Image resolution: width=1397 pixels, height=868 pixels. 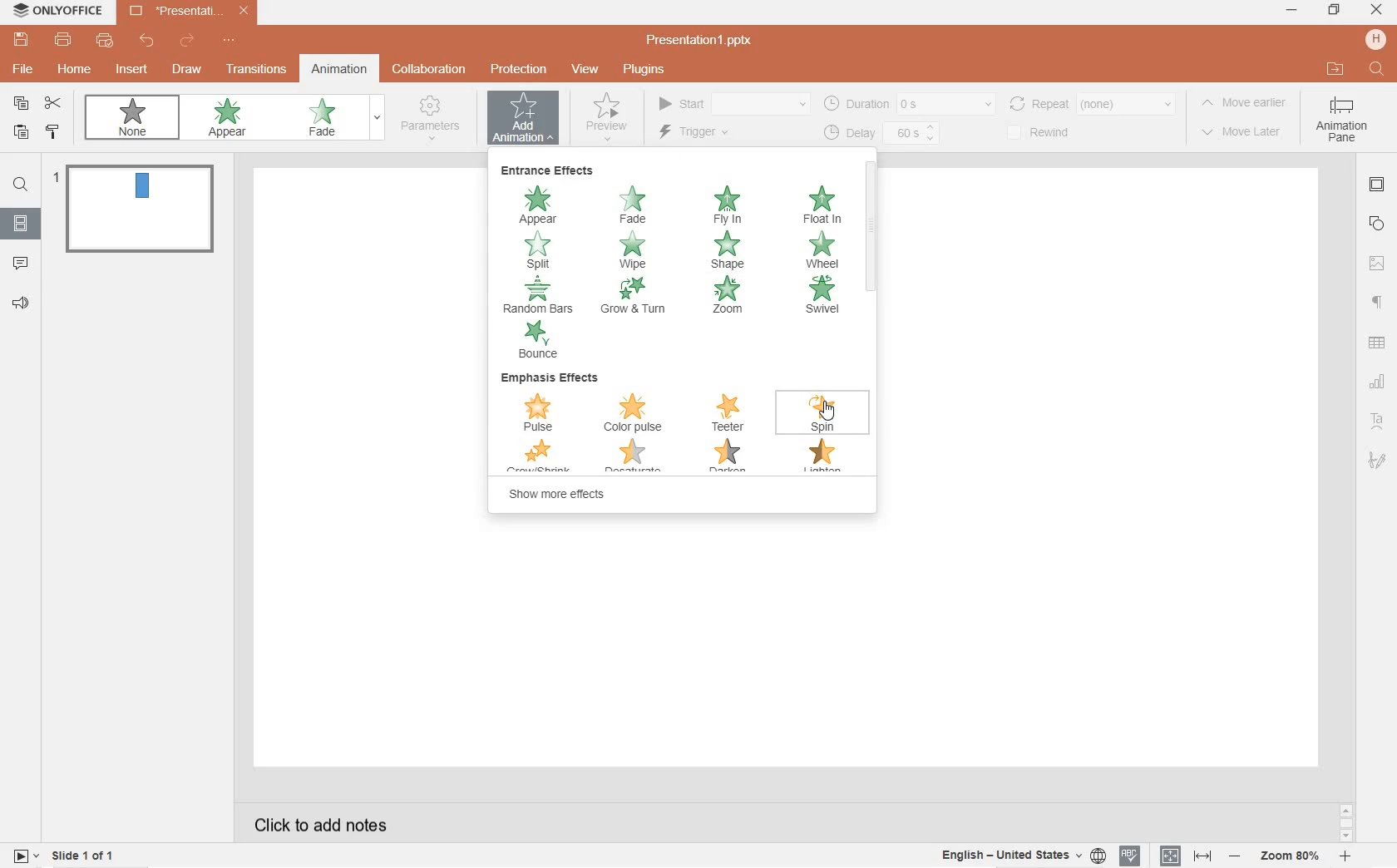 What do you see at coordinates (104, 42) in the screenshot?
I see `quick print` at bounding box center [104, 42].